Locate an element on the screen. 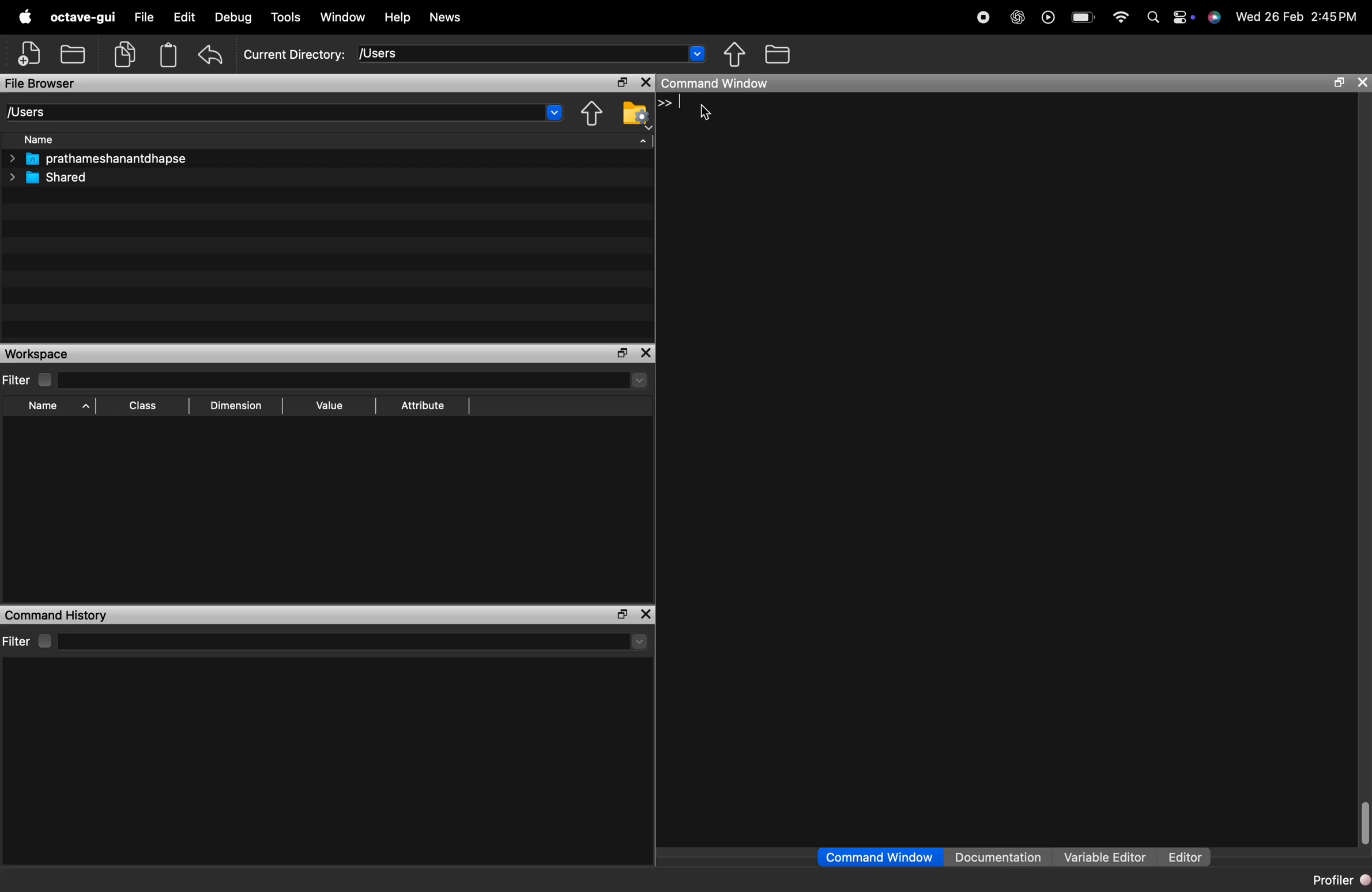  Debug is located at coordinates (235, 17).